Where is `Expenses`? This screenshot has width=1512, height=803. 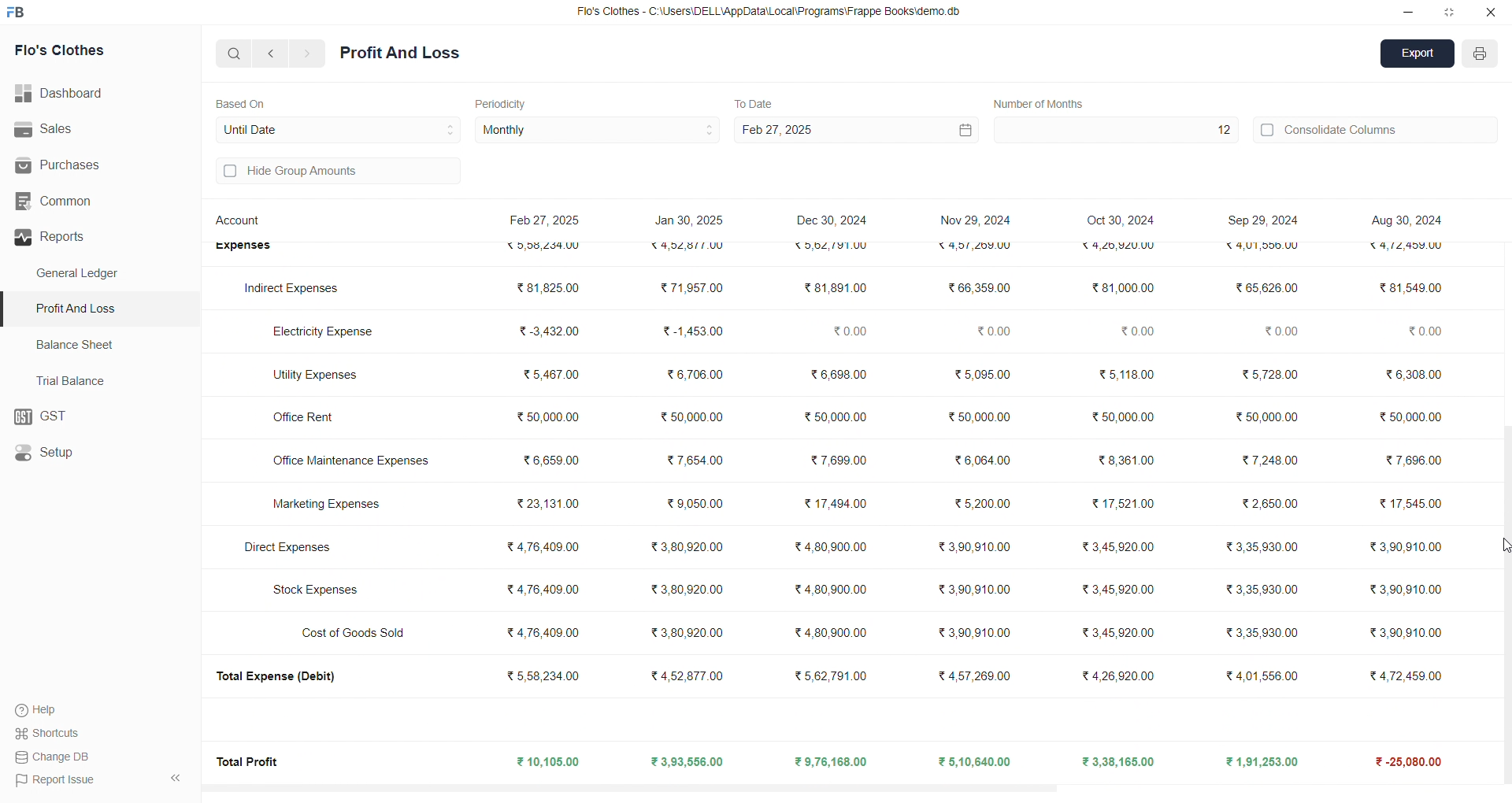
Expenses is located at coordinates (243, 248).